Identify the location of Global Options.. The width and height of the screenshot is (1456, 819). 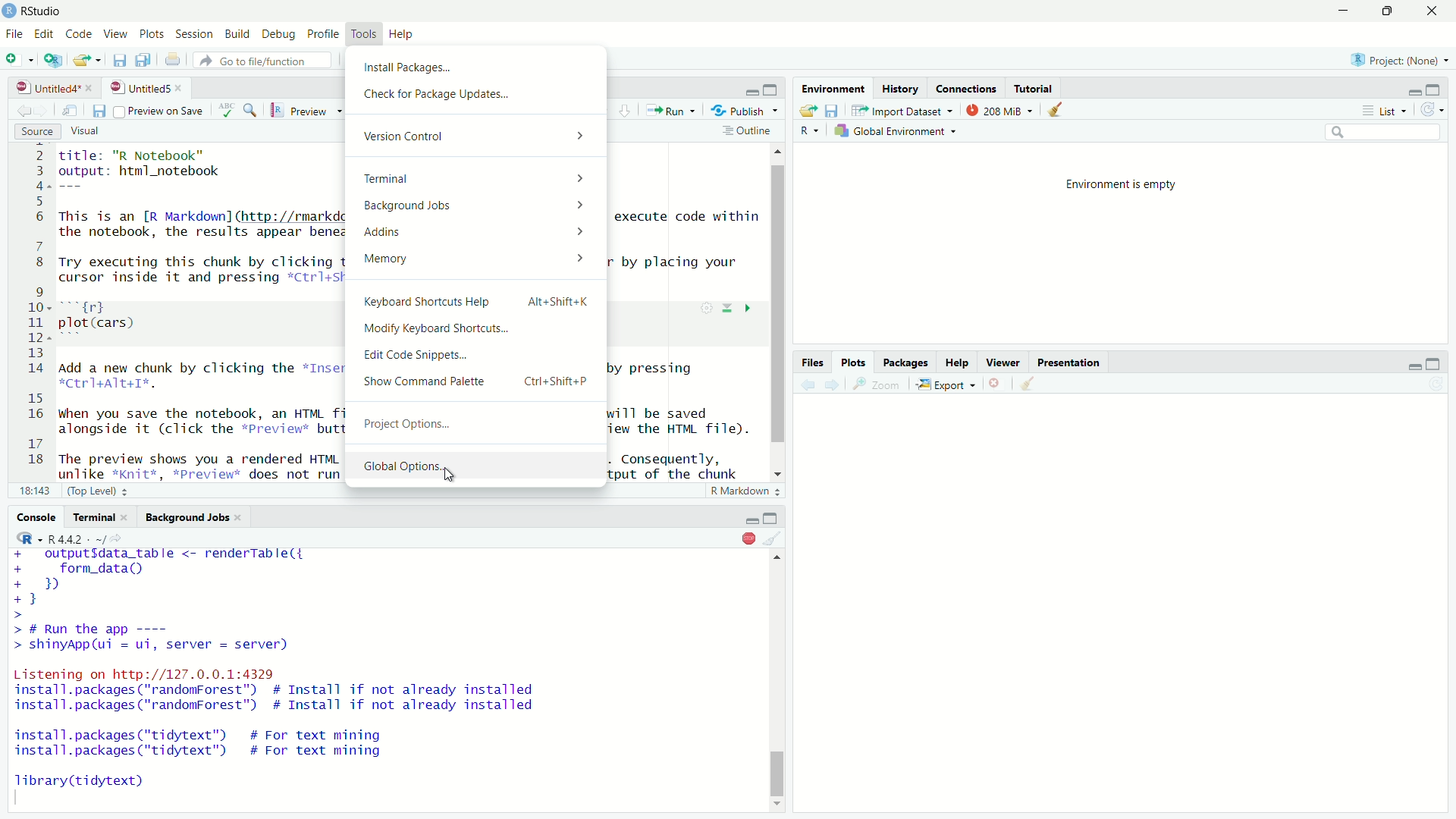
(473, 467).